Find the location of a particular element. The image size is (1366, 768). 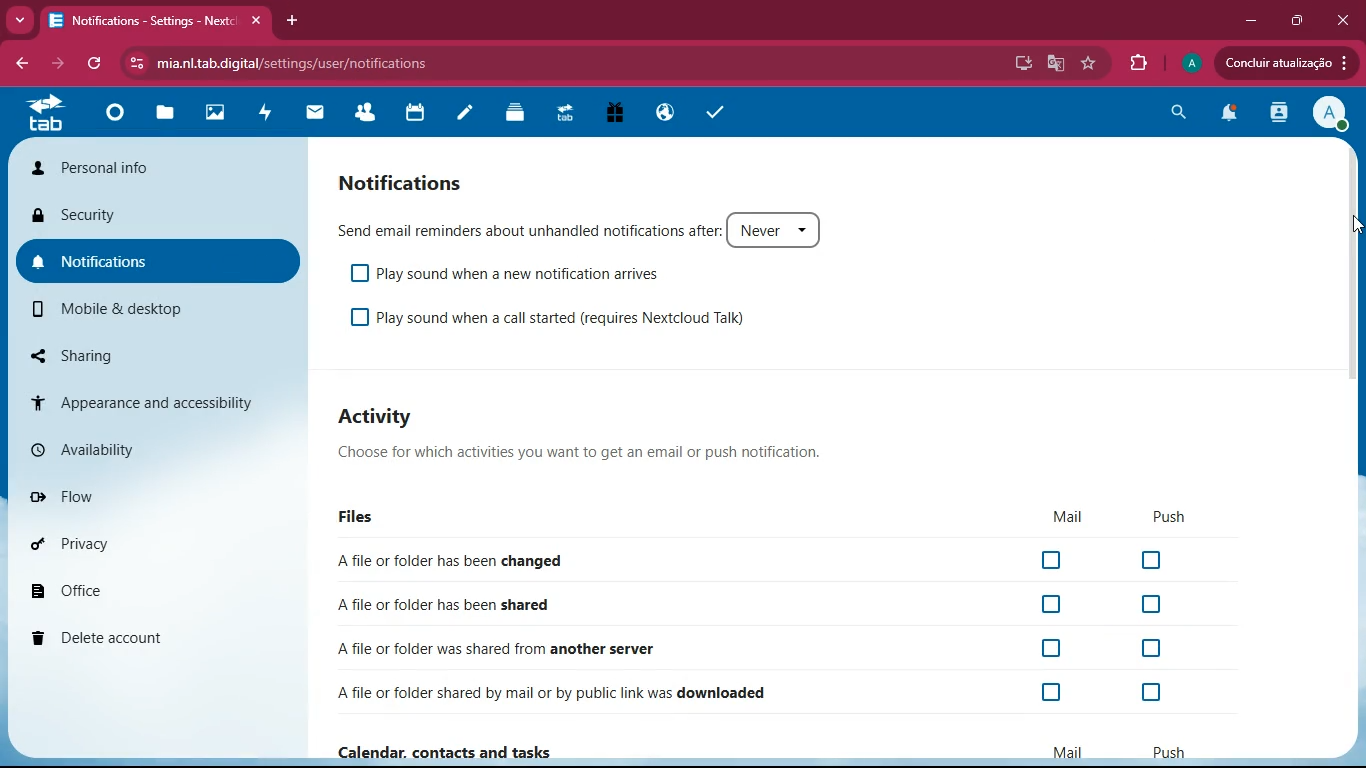

flow is located at coordinates (147, 499).